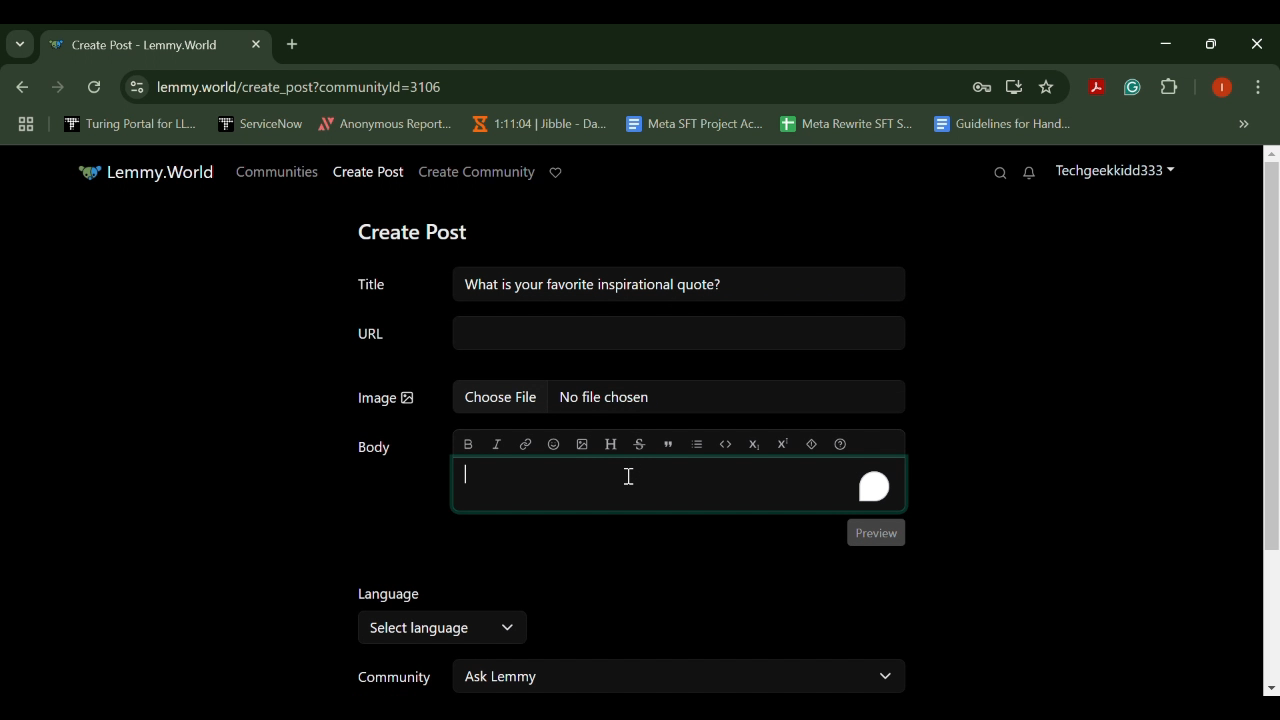 This screenshot has width=1280, height=720. Describe the element at coordinates (630, 400) in the screenshot. I see `Image: No file chosen` at that location.